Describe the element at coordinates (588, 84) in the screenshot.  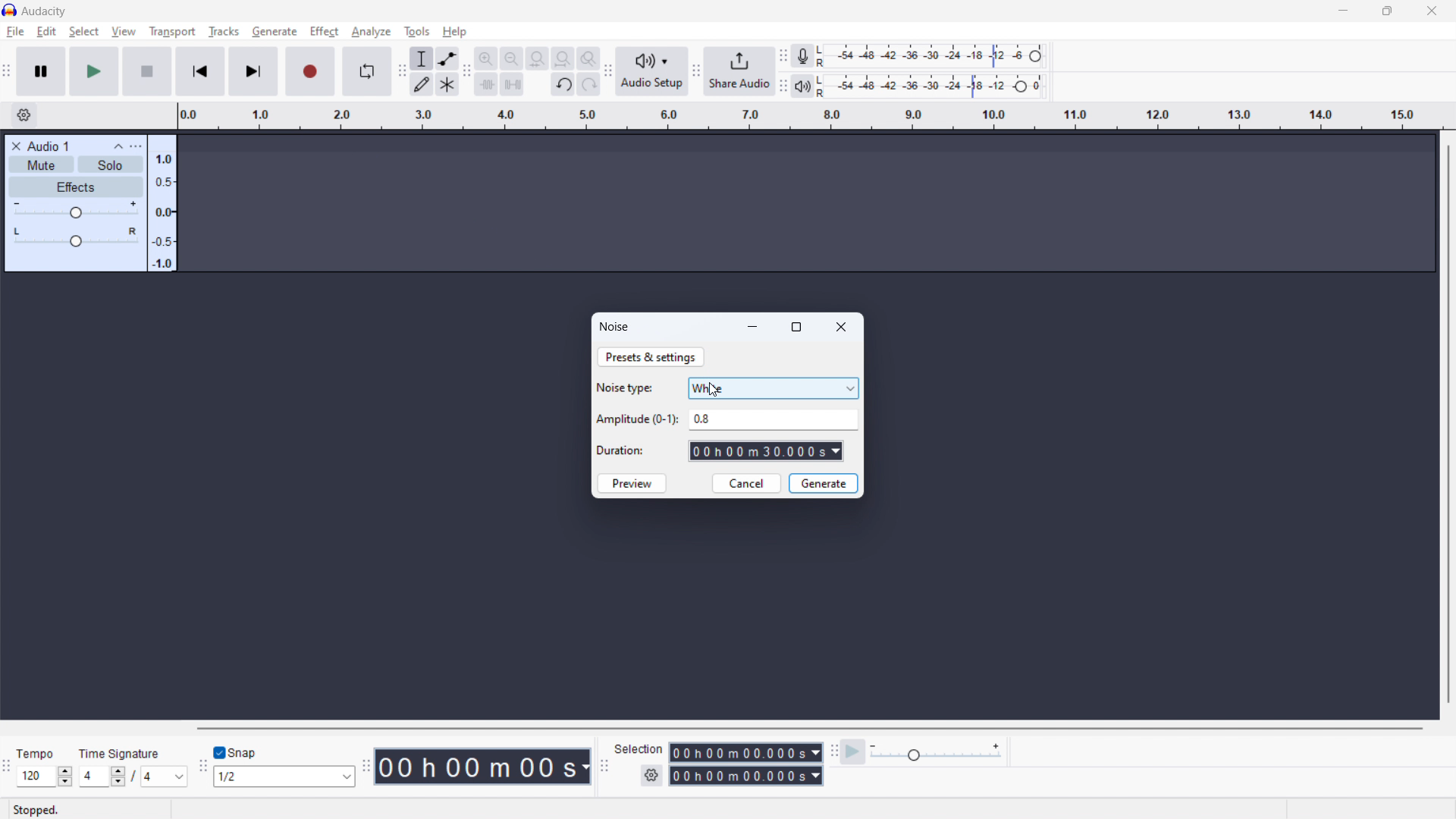
I see `redo` at that location.